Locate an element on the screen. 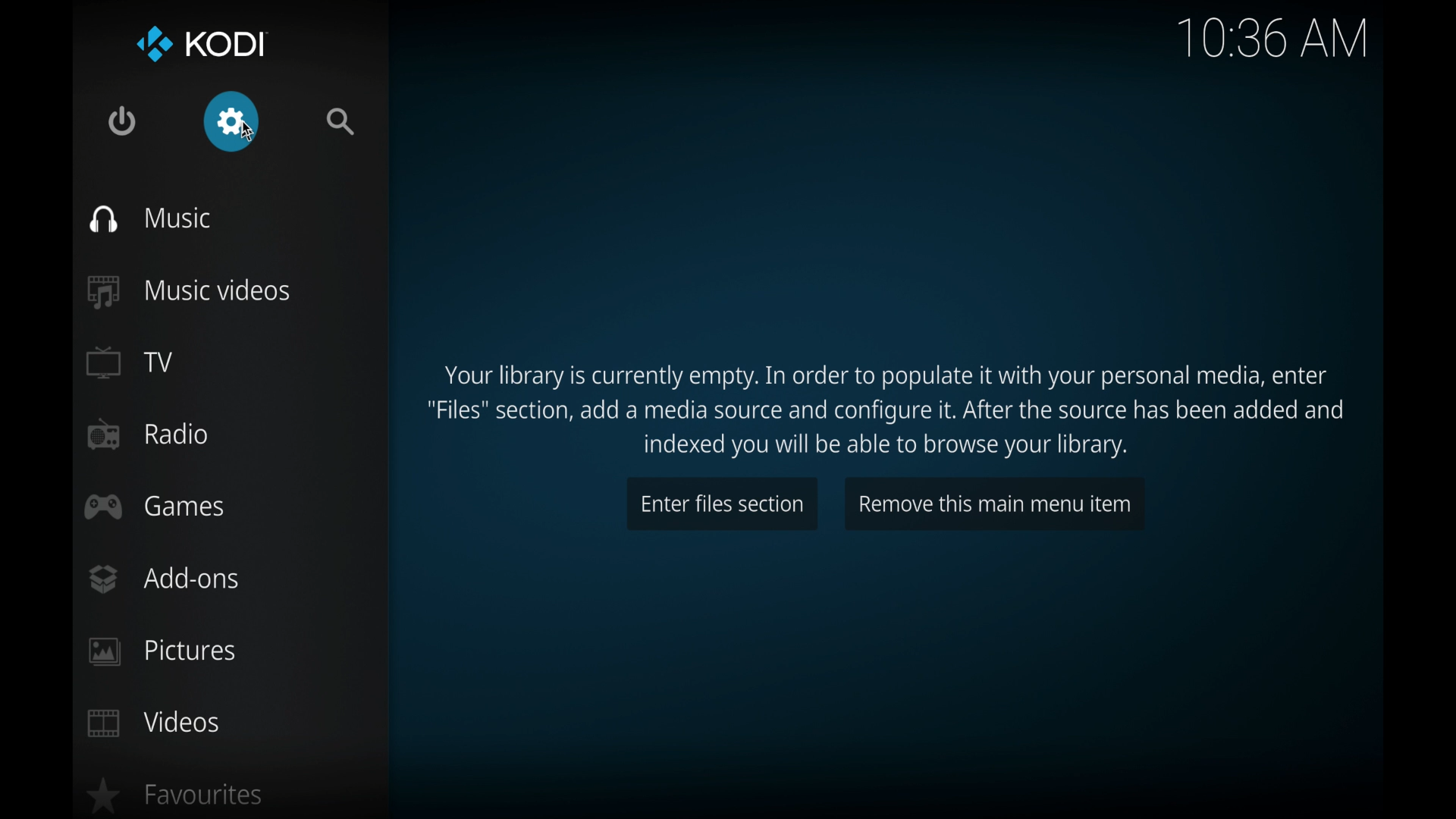  music is located at coordinates (150, 219).